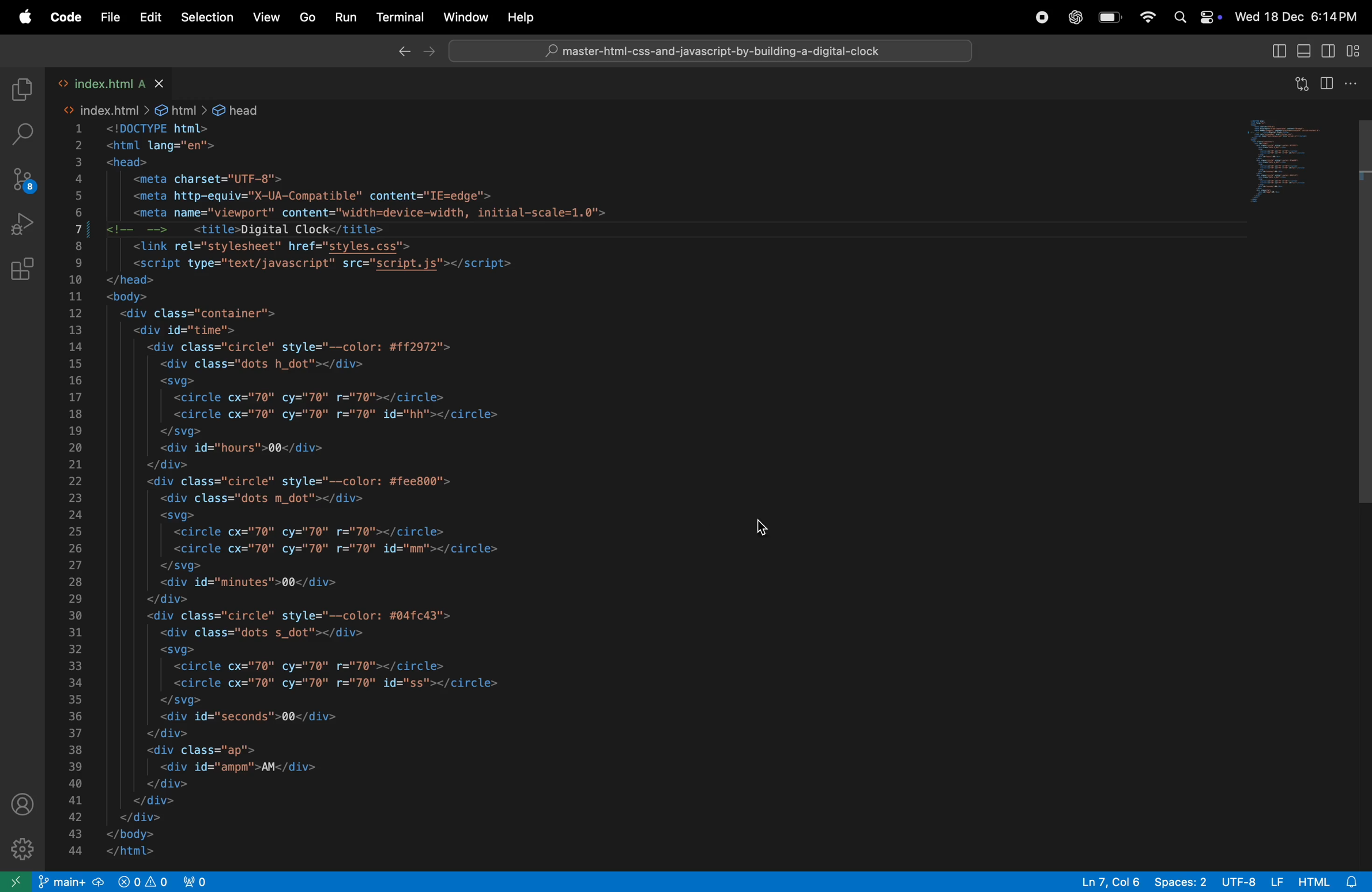 The width and height of the screenshot is (1372, 892). I want to click on selection, so click(203, 17).